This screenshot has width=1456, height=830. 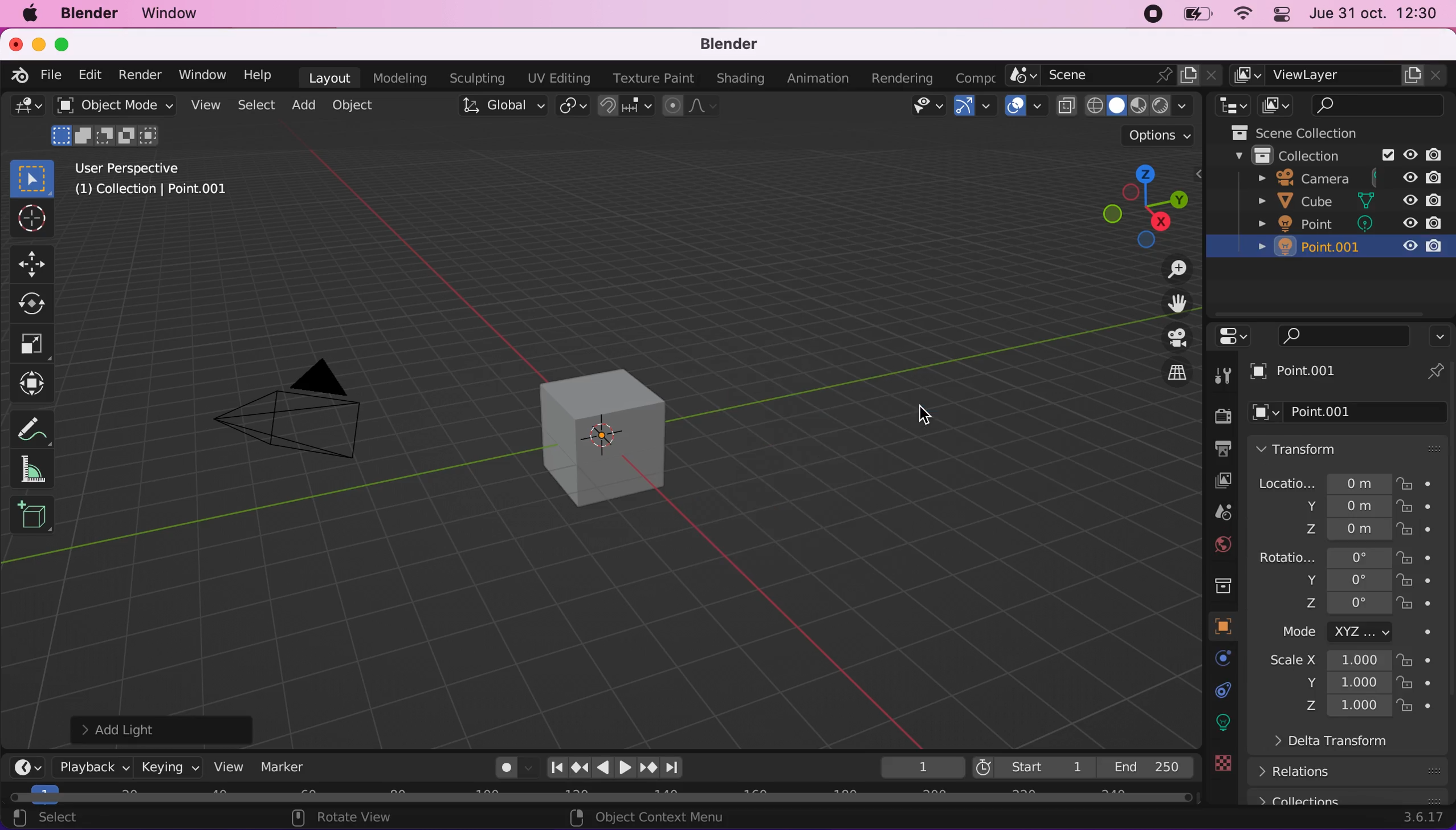 What do you see at coordinates (1338, 335) in the screenshot?
I see `search` at bounding box center [1338, 335].